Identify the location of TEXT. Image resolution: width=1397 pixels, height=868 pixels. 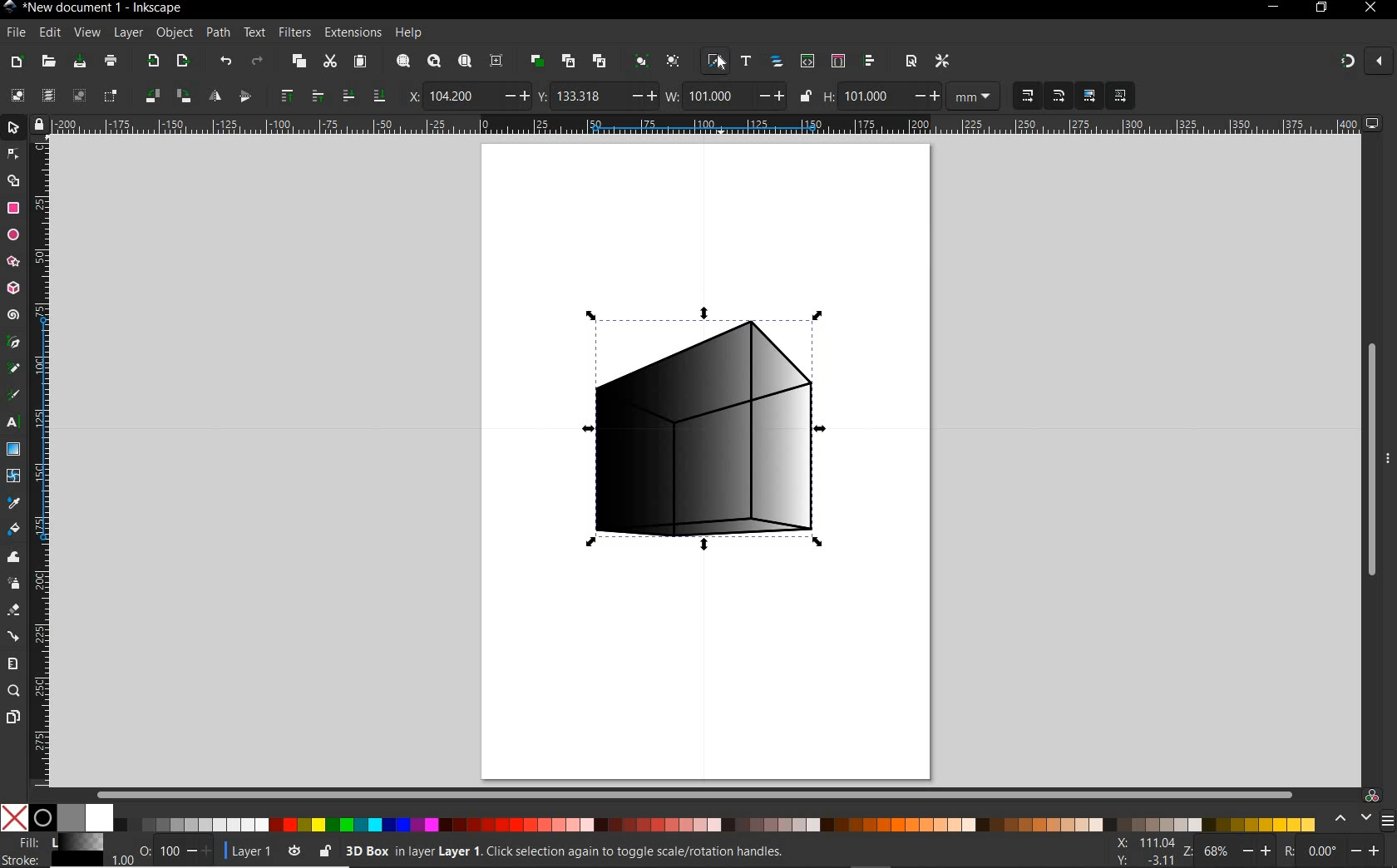
(254, 32).